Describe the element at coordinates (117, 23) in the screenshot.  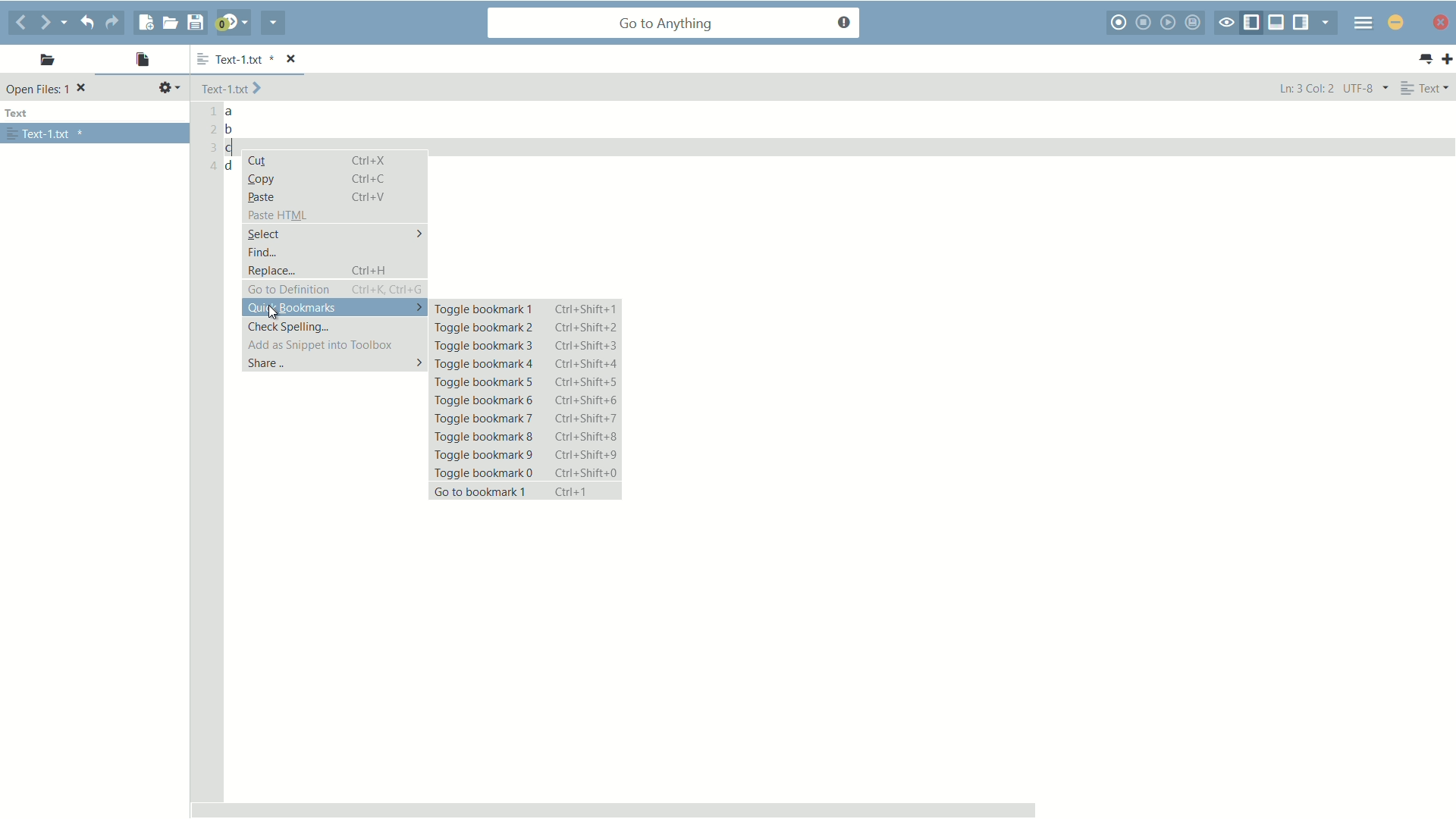
I see `redo` at that location.